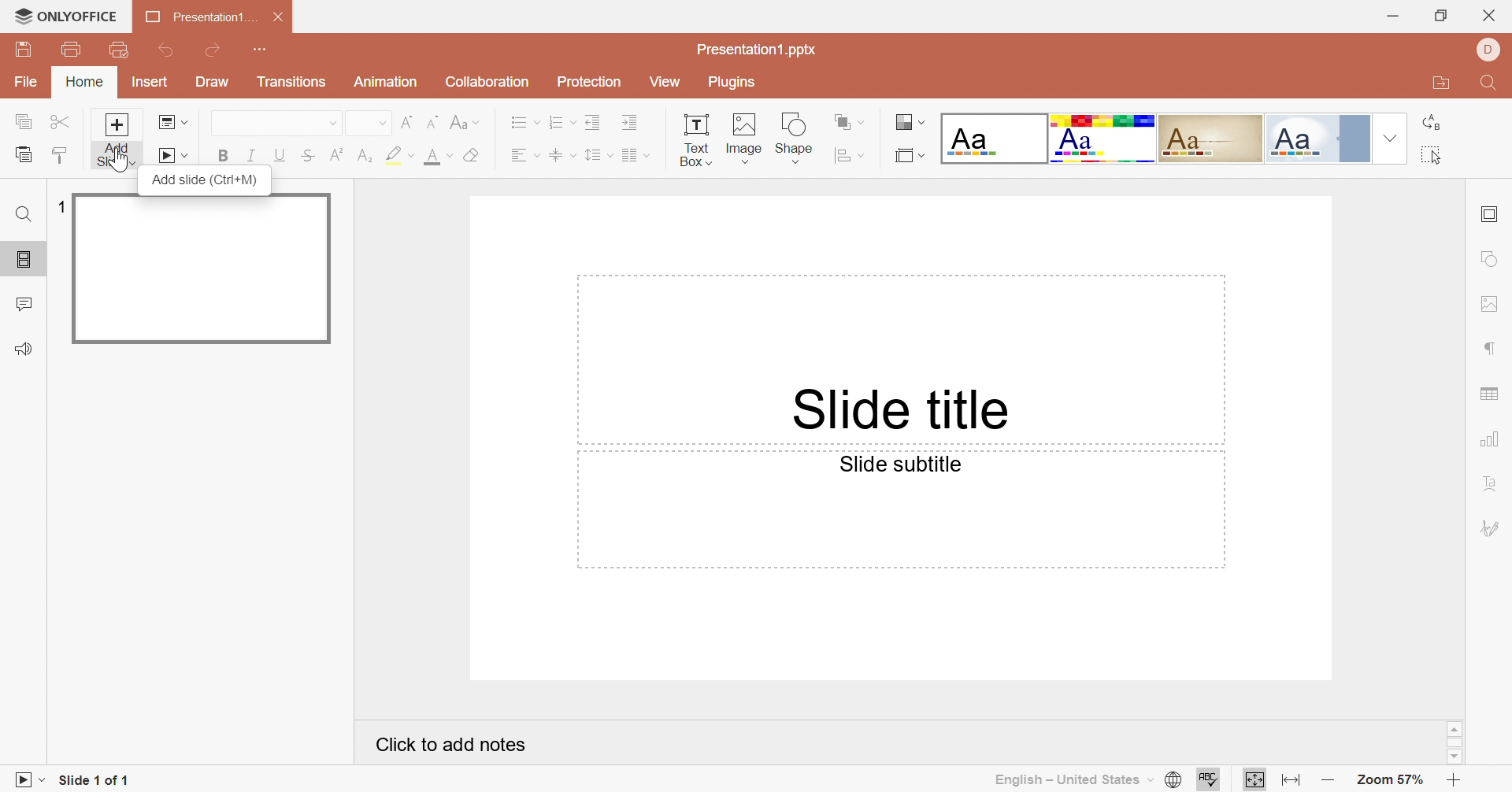  I want to click on horizontal align, so click(523, 154).